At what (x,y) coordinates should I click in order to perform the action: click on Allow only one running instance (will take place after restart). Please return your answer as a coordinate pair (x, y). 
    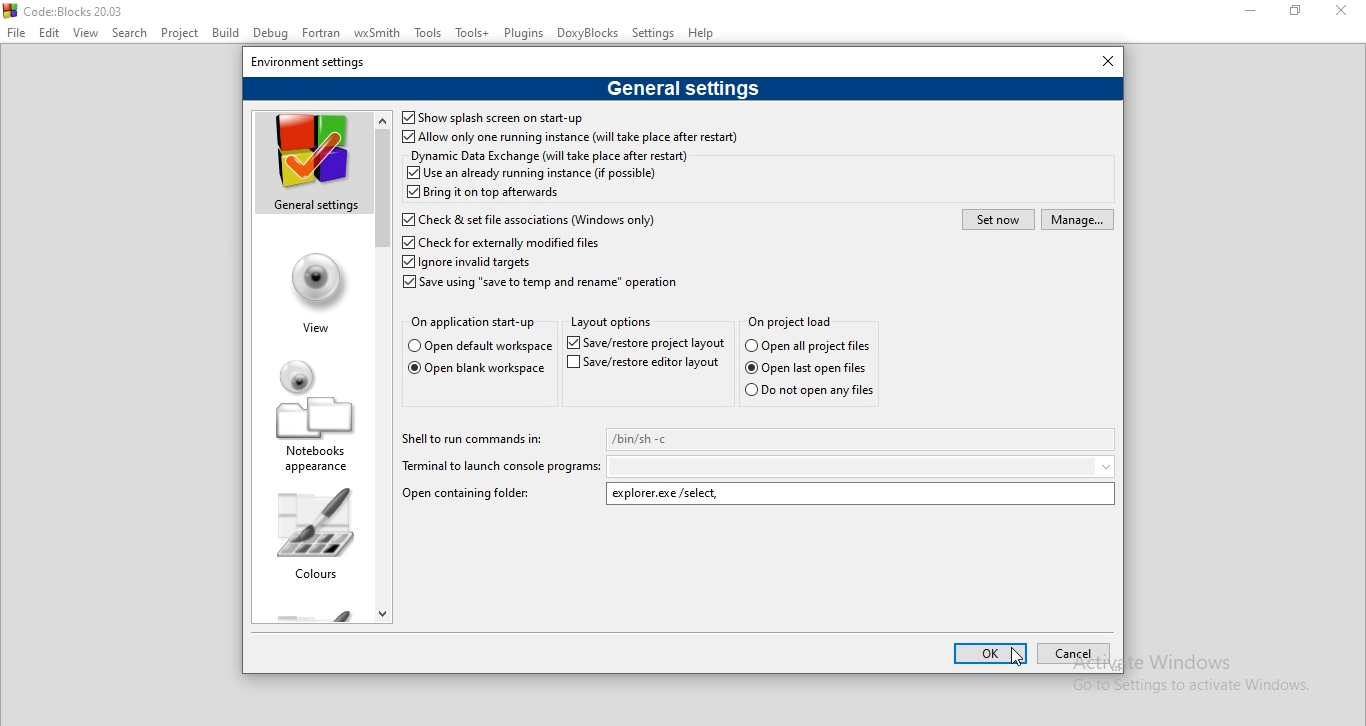
    Looking at the image, I should click on (571, 138).